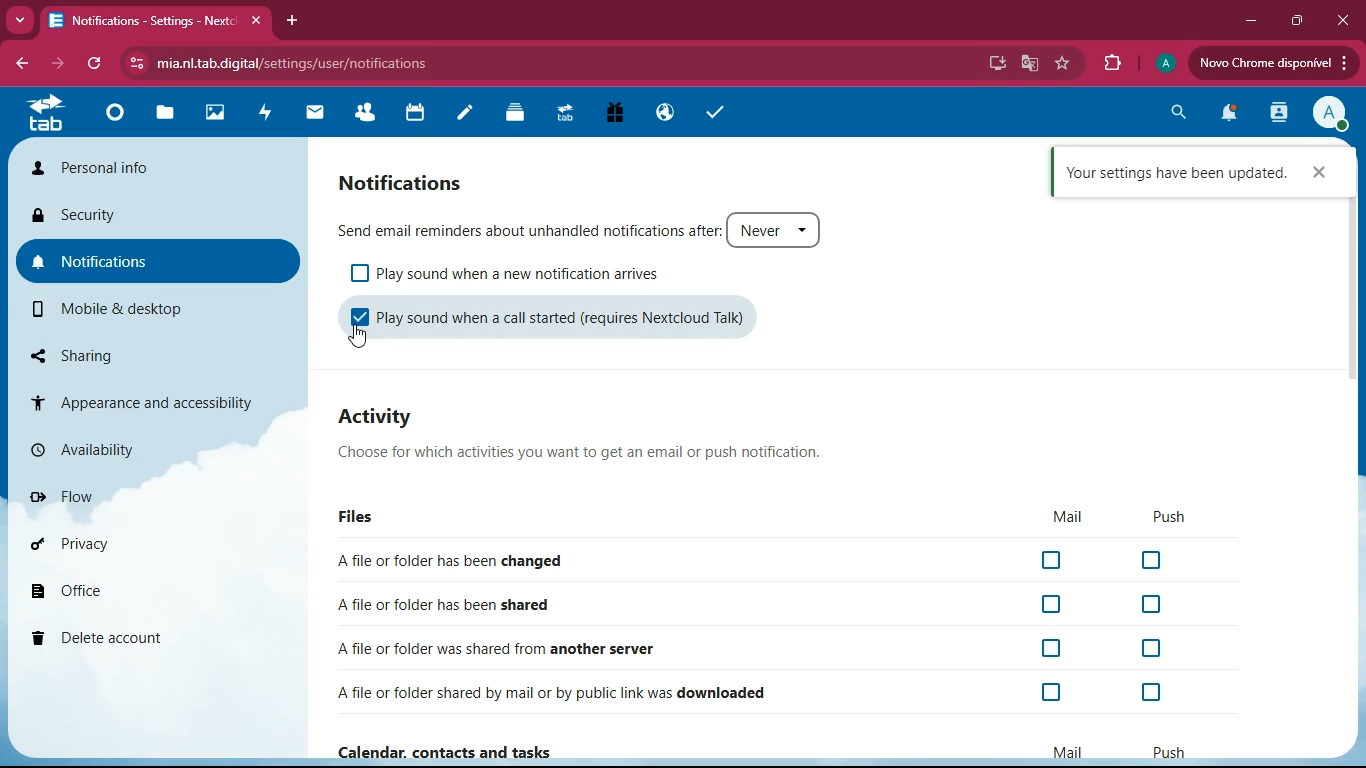 This screenshot has width=1366, height=768. Describe the element at coordinates (75, 544) in the screenshot. I see `priva` at that location.